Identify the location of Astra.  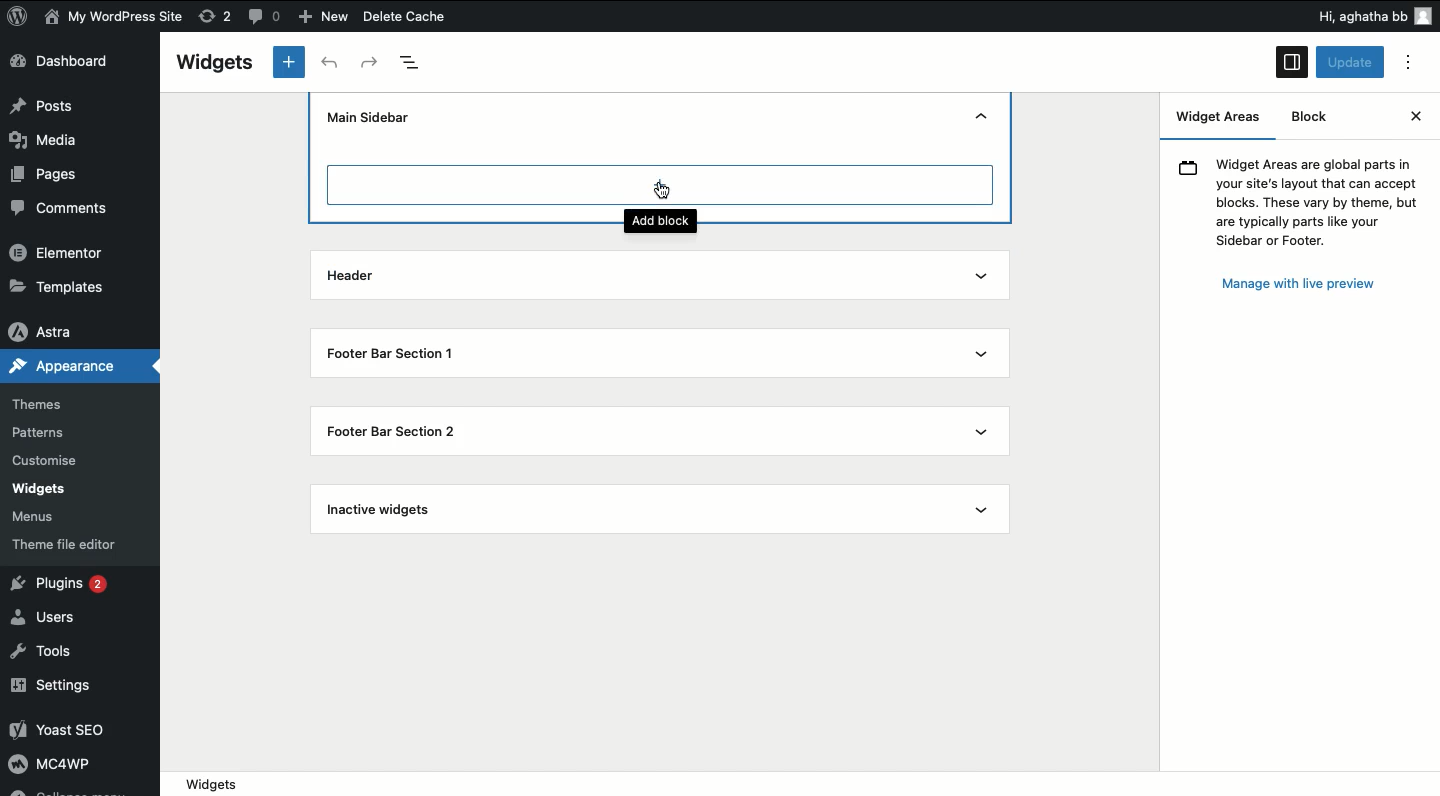
(51, 329).